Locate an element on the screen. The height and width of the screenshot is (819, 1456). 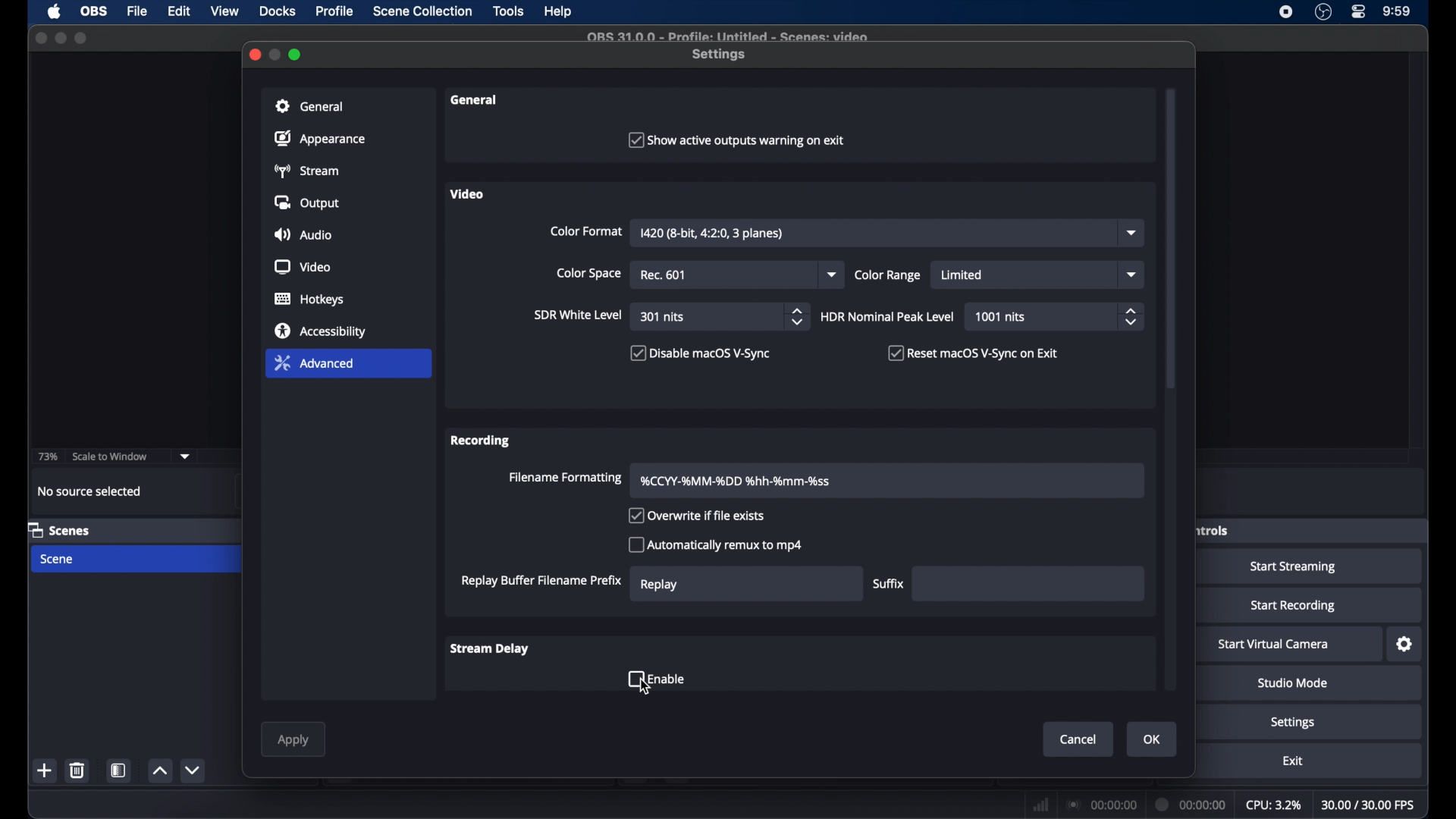
start streaming is located at coordinates (1294, 566).